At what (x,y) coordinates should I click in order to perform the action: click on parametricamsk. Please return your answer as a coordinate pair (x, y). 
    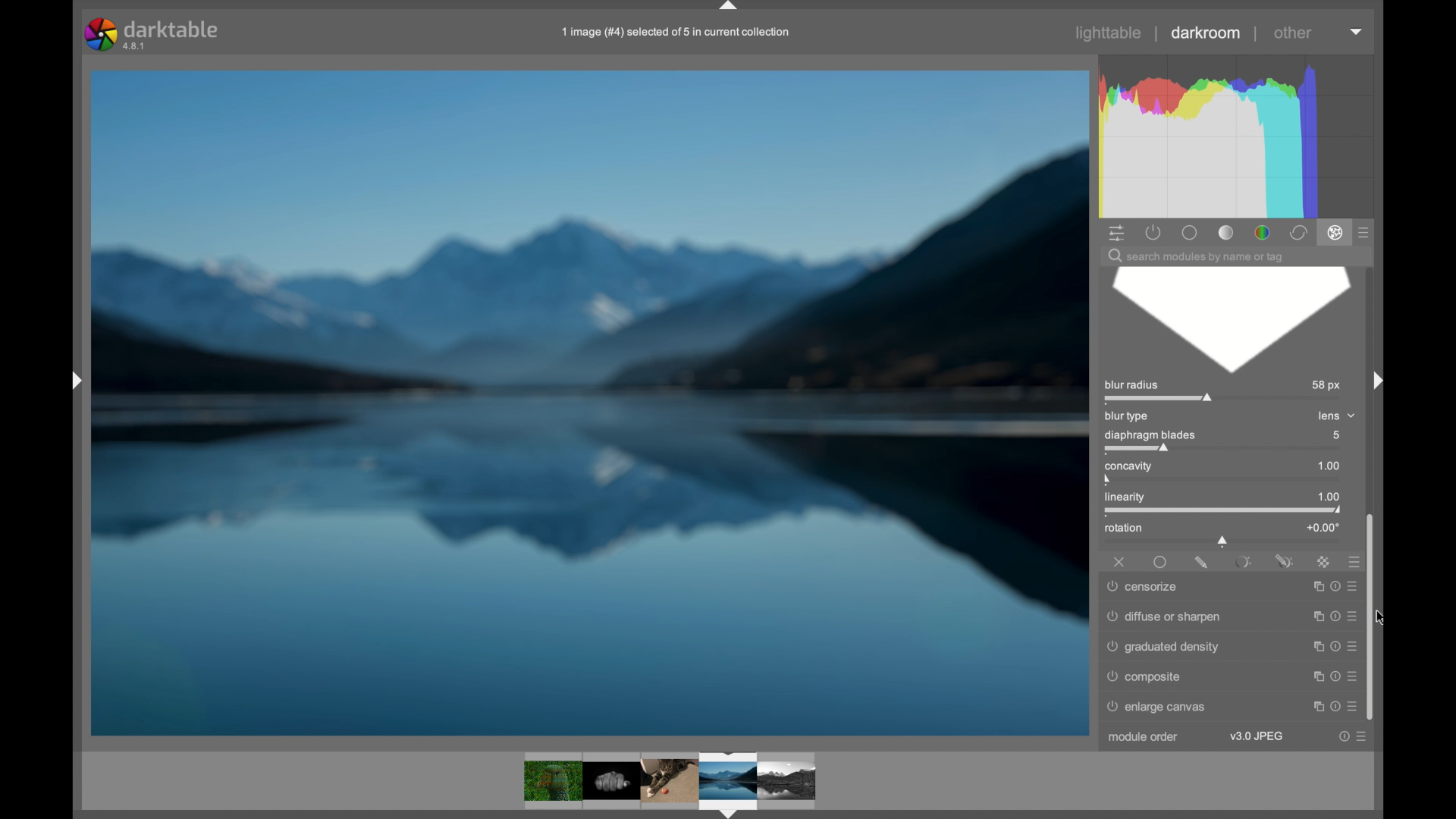
    Looking at the image, I should click on (1241, 562).